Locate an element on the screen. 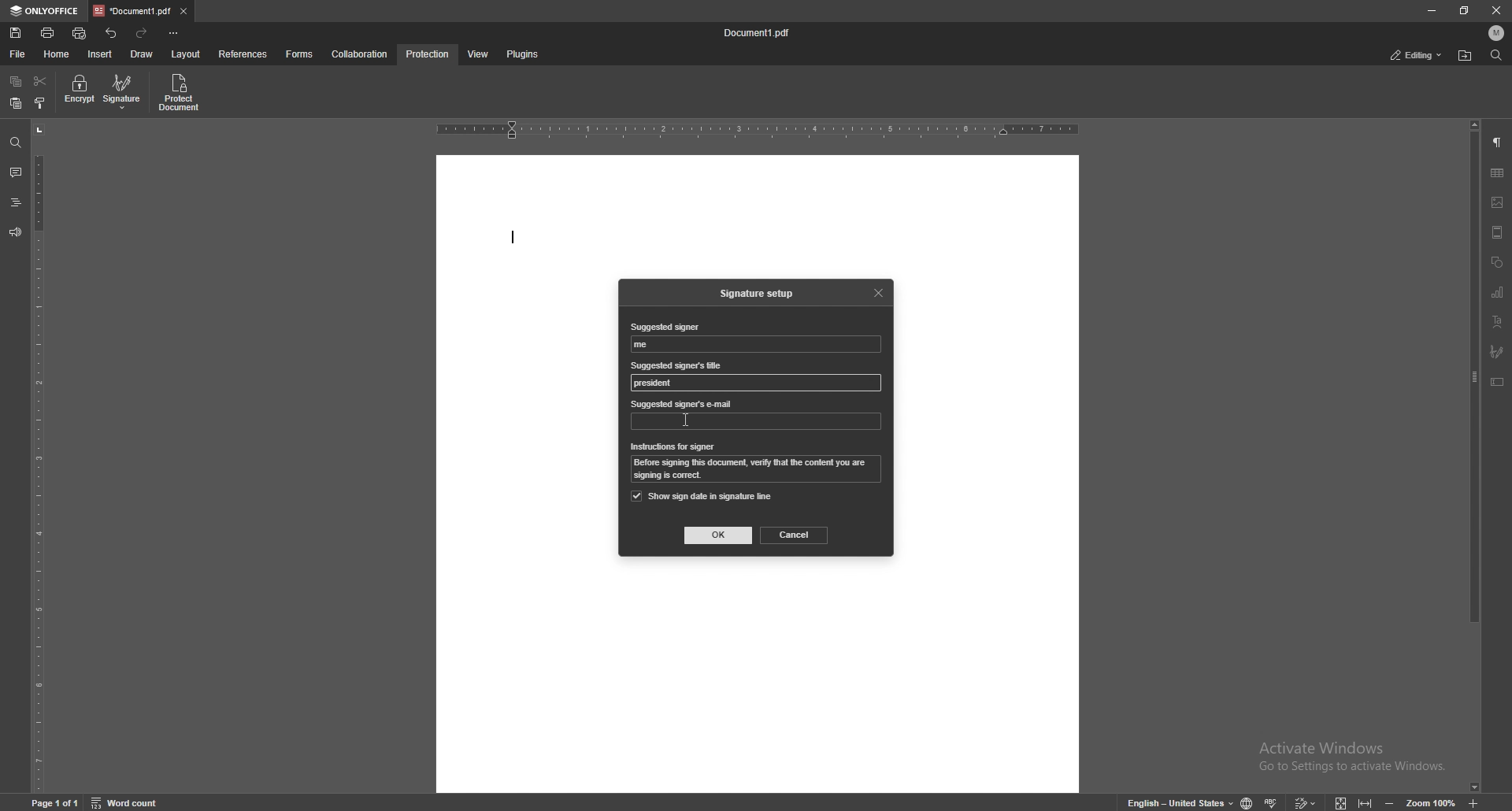  heading is located at coordinates (15, 204).